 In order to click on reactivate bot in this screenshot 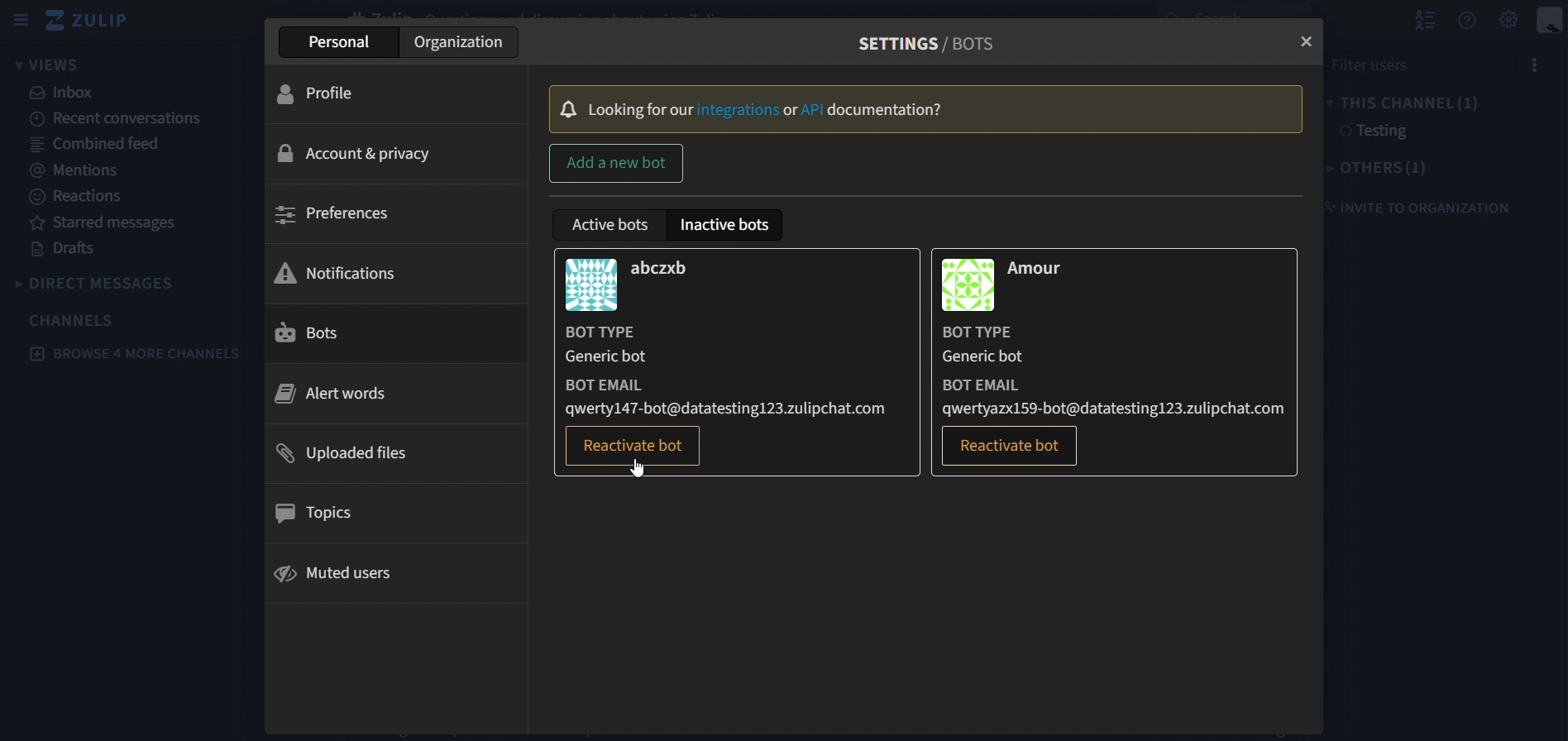, I will do `click(1006, 445)`.